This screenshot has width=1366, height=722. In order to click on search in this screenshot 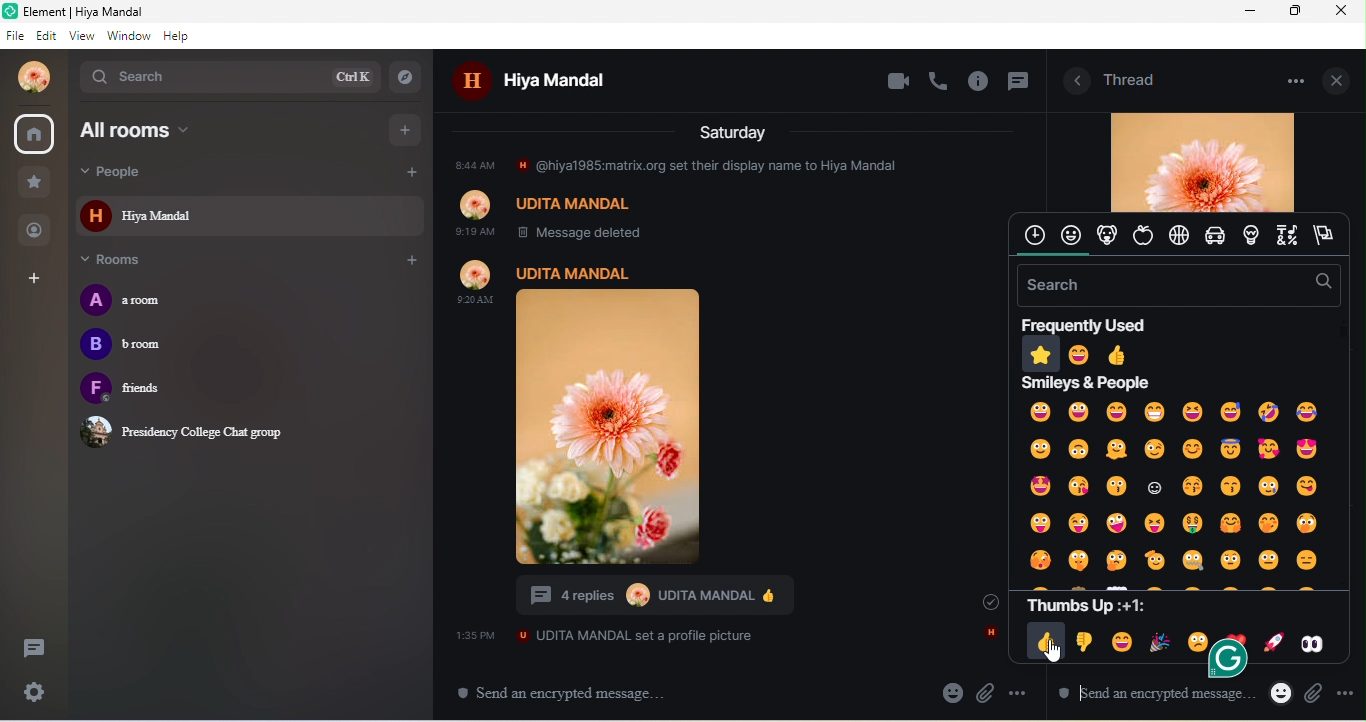, I will do `click(228, 76)`.